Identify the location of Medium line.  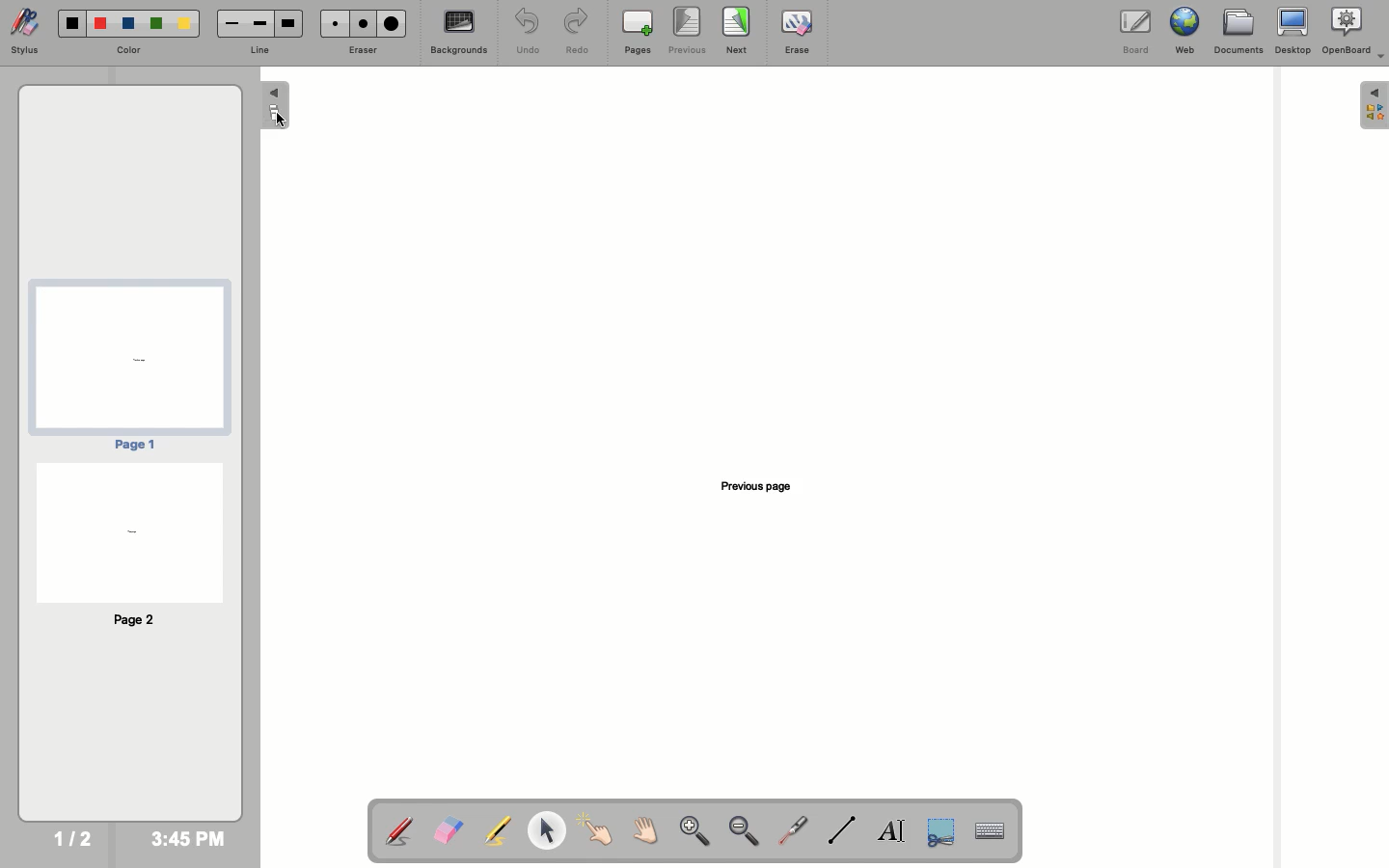
(259, 23).